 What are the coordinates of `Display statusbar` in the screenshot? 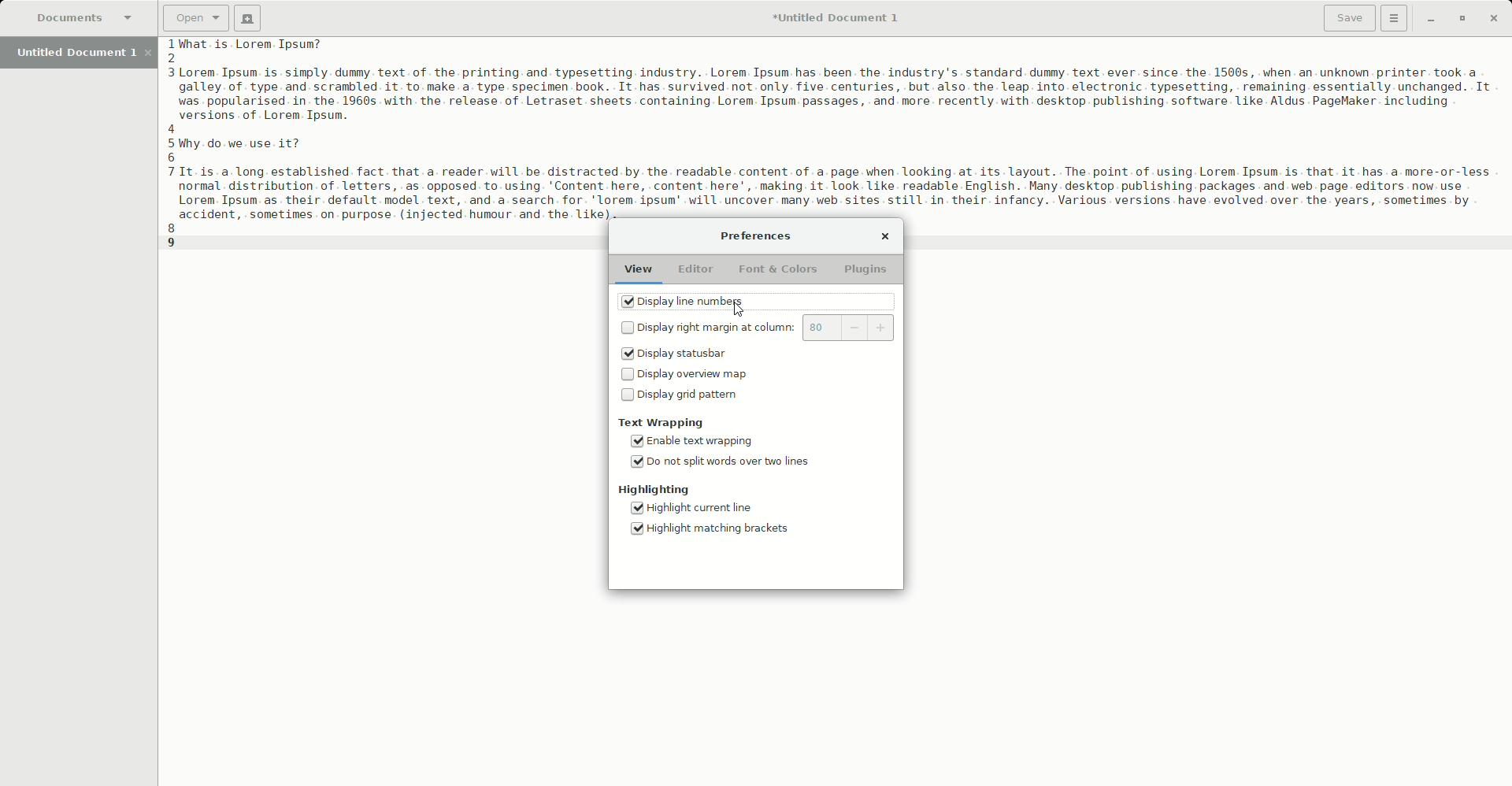 It's located at (677, 354).